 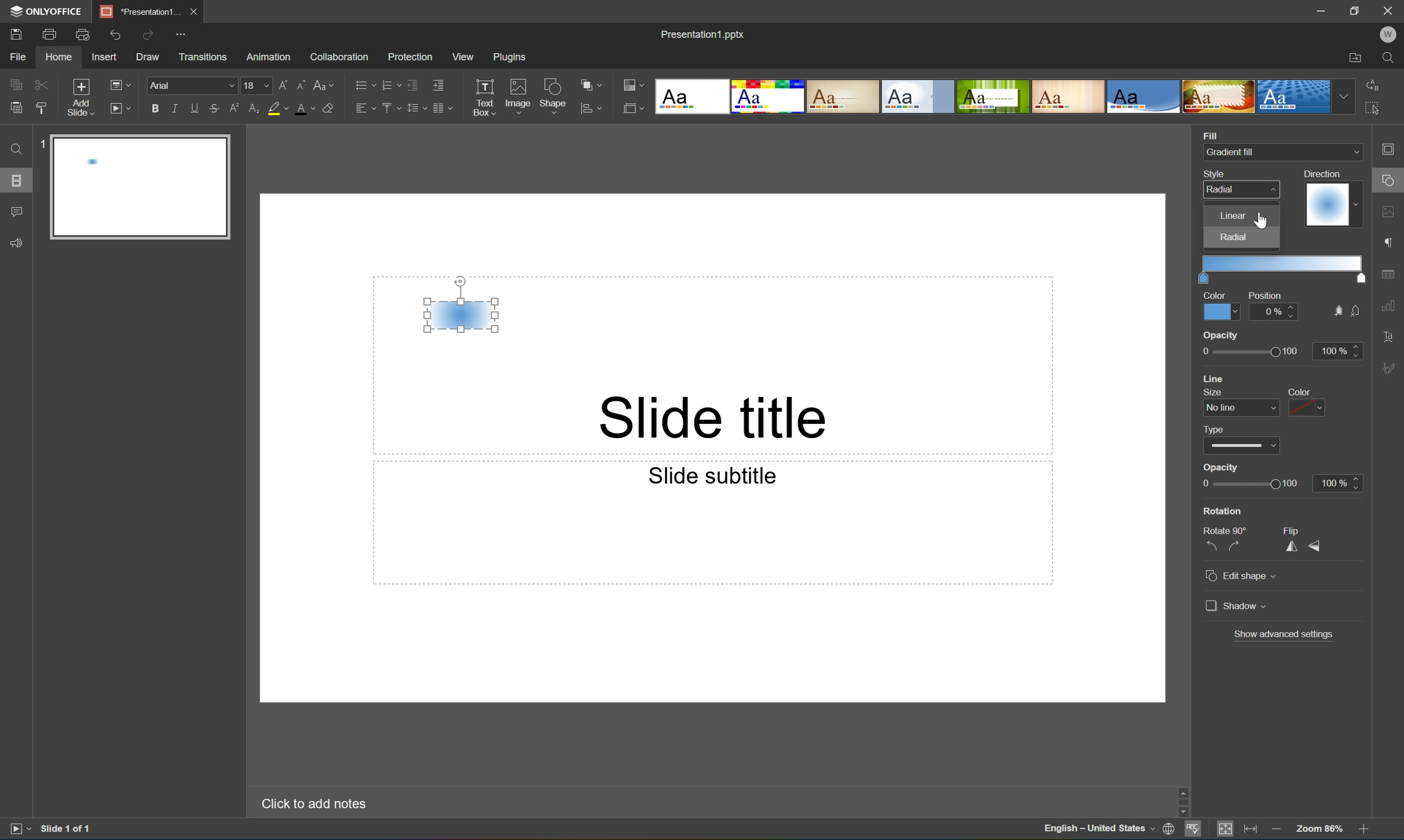 What do you see at coordinates (1251, 830) in the screenshot?
I see `Fit to width` at bounding box center [1251, 830].